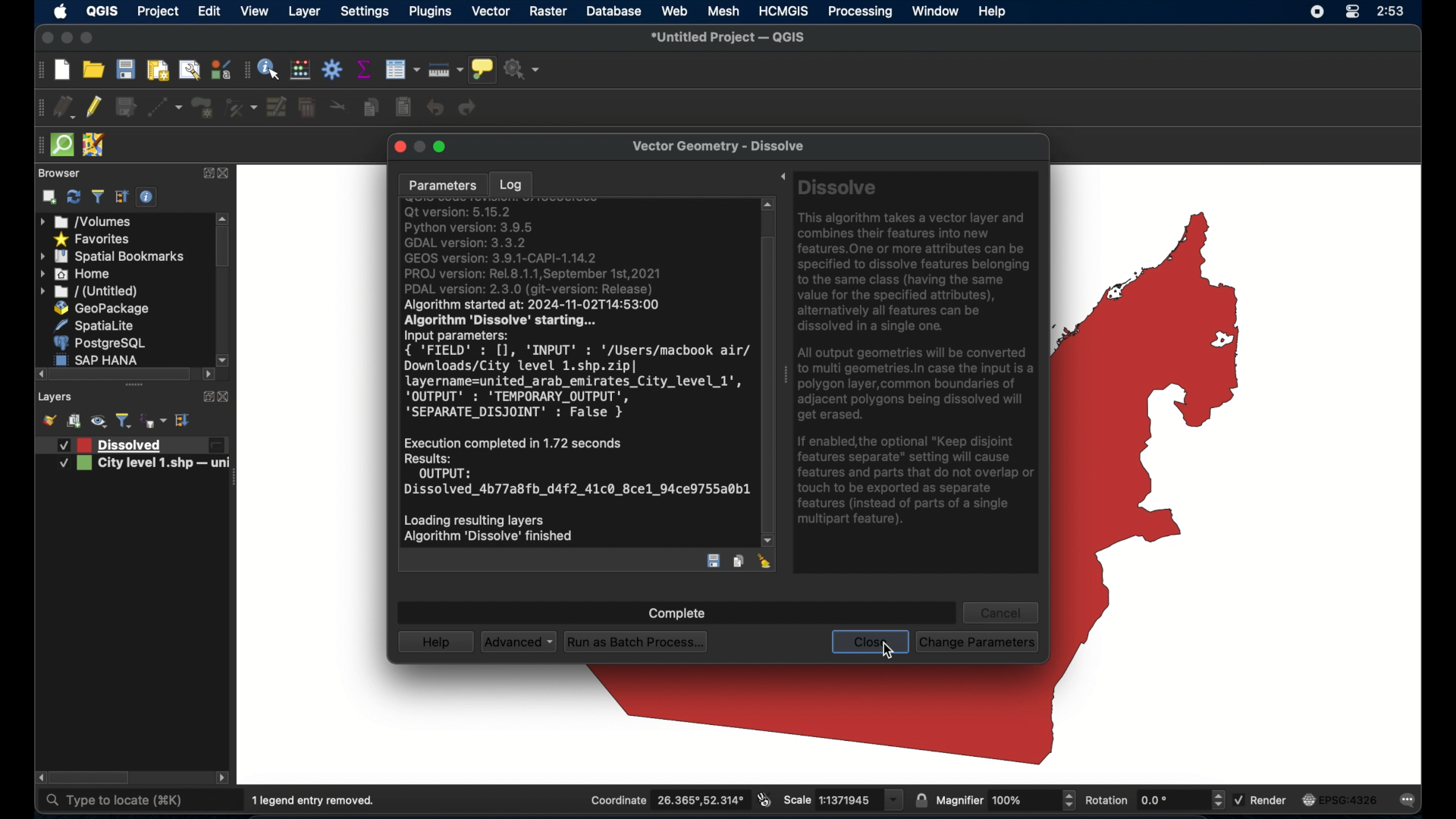  Describe the element at coordinates (146, 197) in the screenshot. I see `enable/disable properties widget` at that location.